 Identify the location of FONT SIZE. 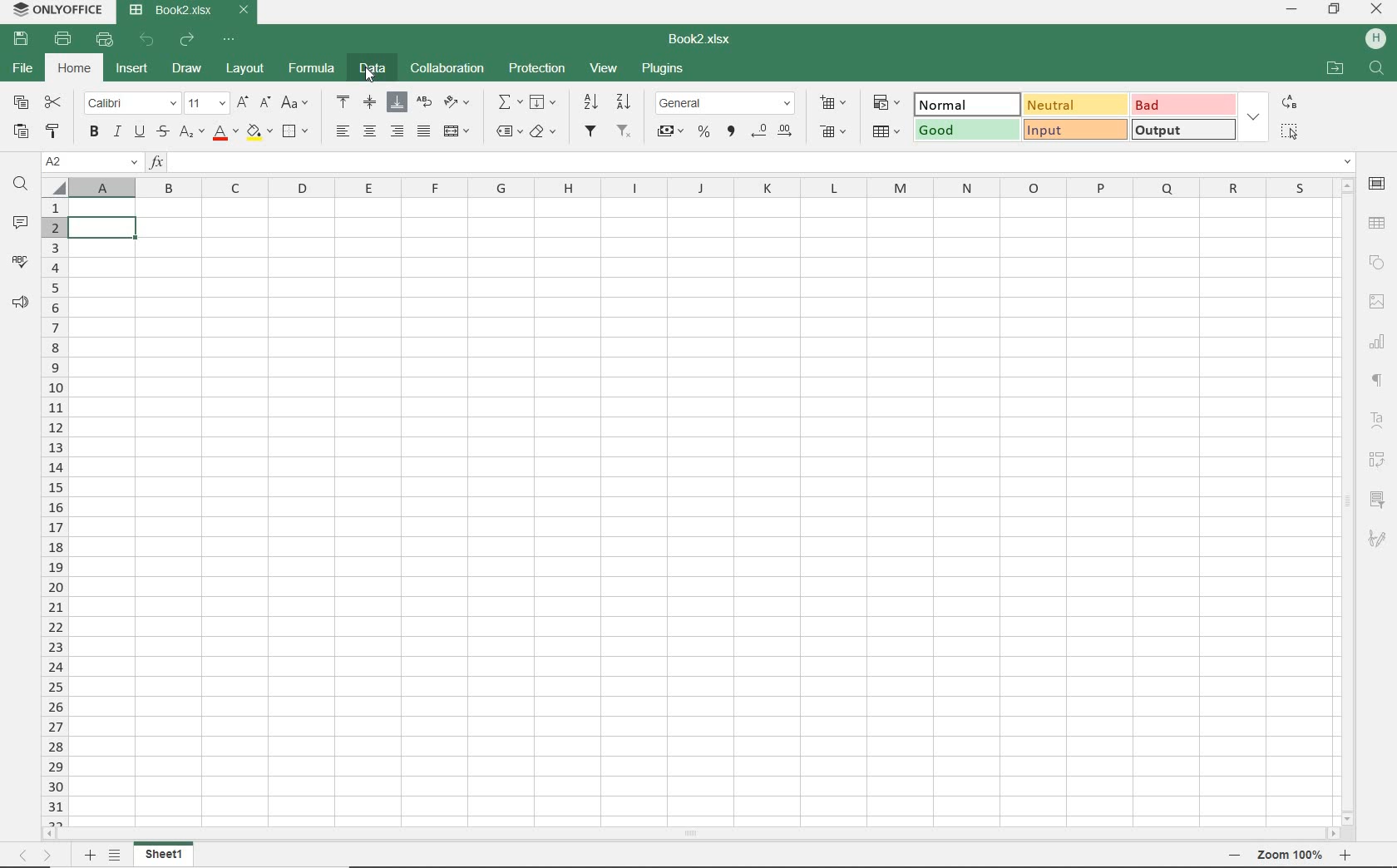
(206, 103).